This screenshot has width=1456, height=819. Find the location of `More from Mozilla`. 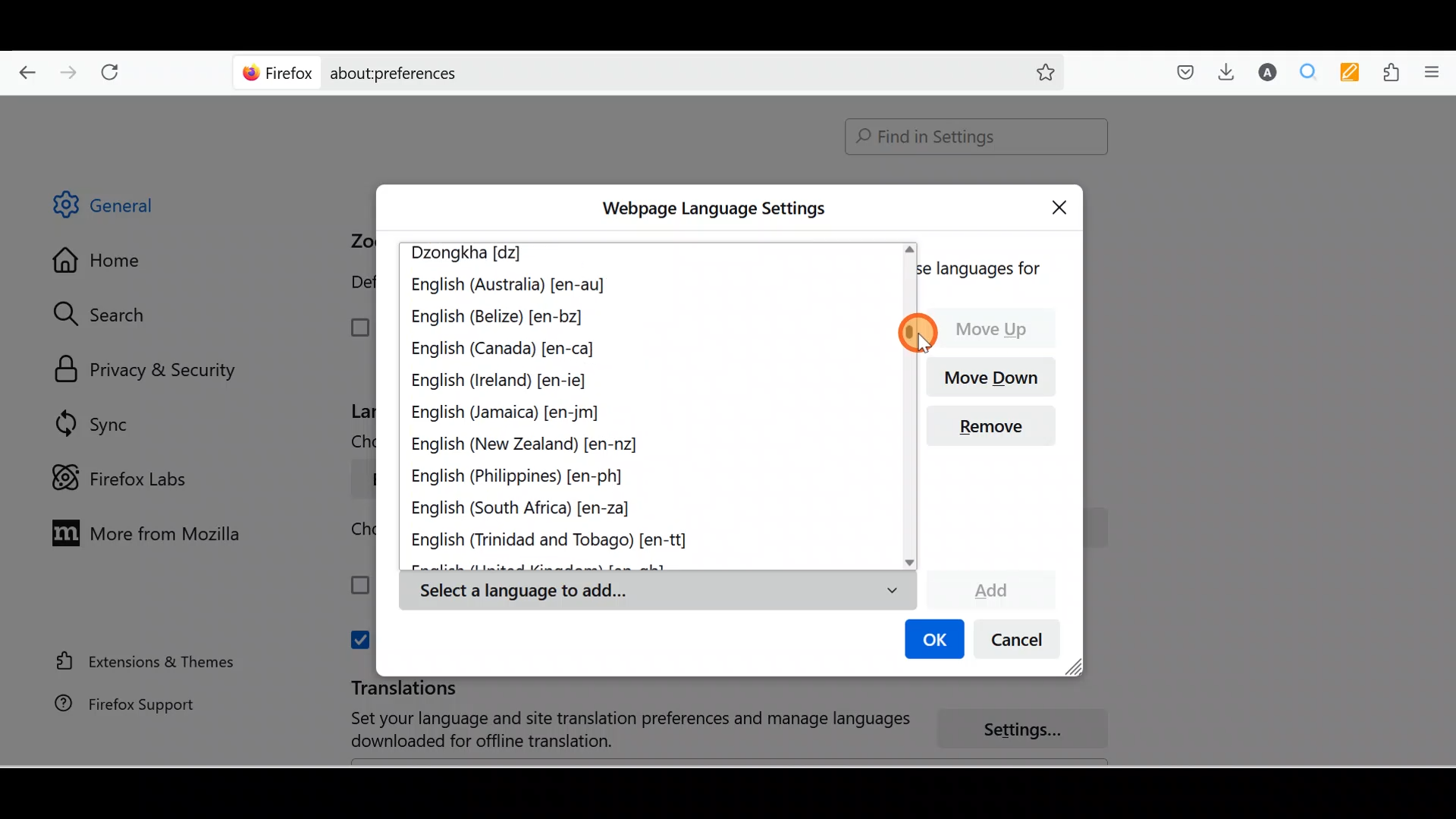

More from Mozilla is located at coordinates (142, 532).